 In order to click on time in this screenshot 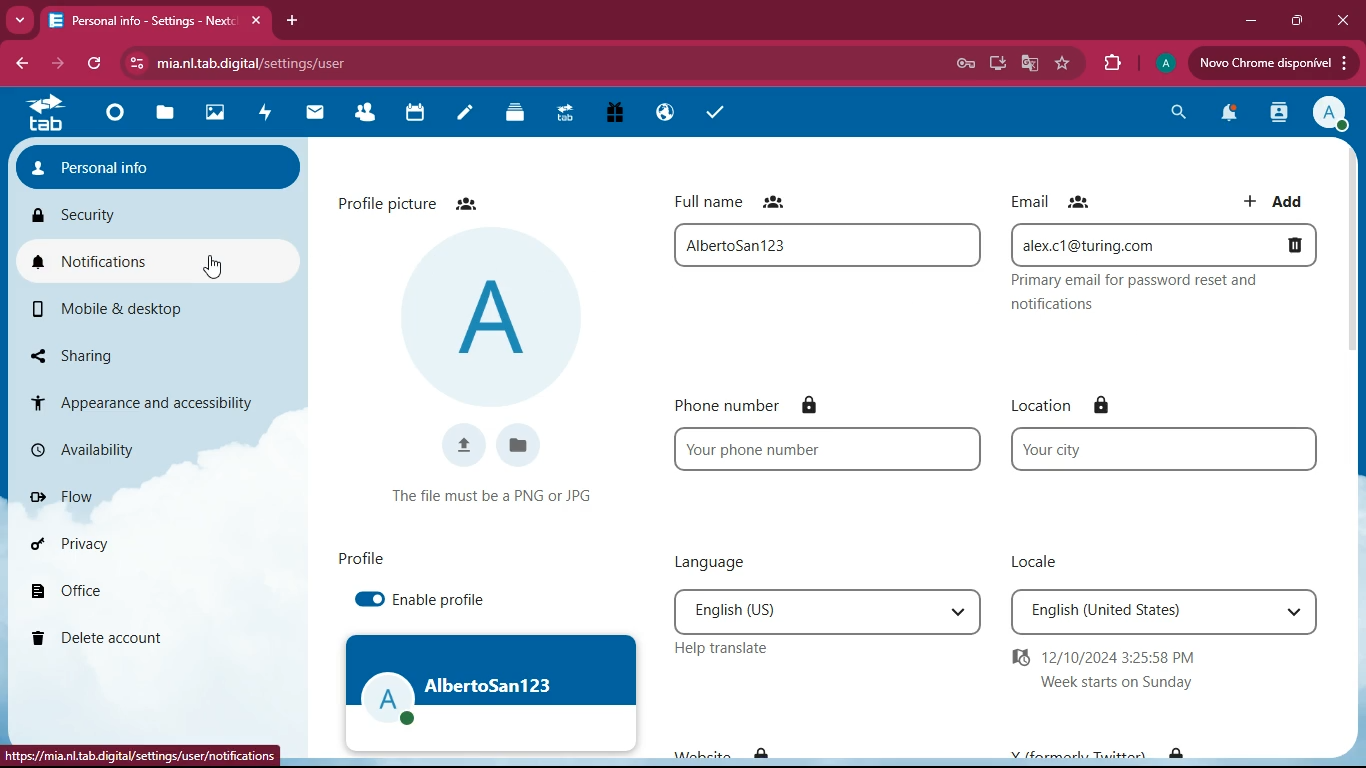, I will do `click(1128, 670)`.